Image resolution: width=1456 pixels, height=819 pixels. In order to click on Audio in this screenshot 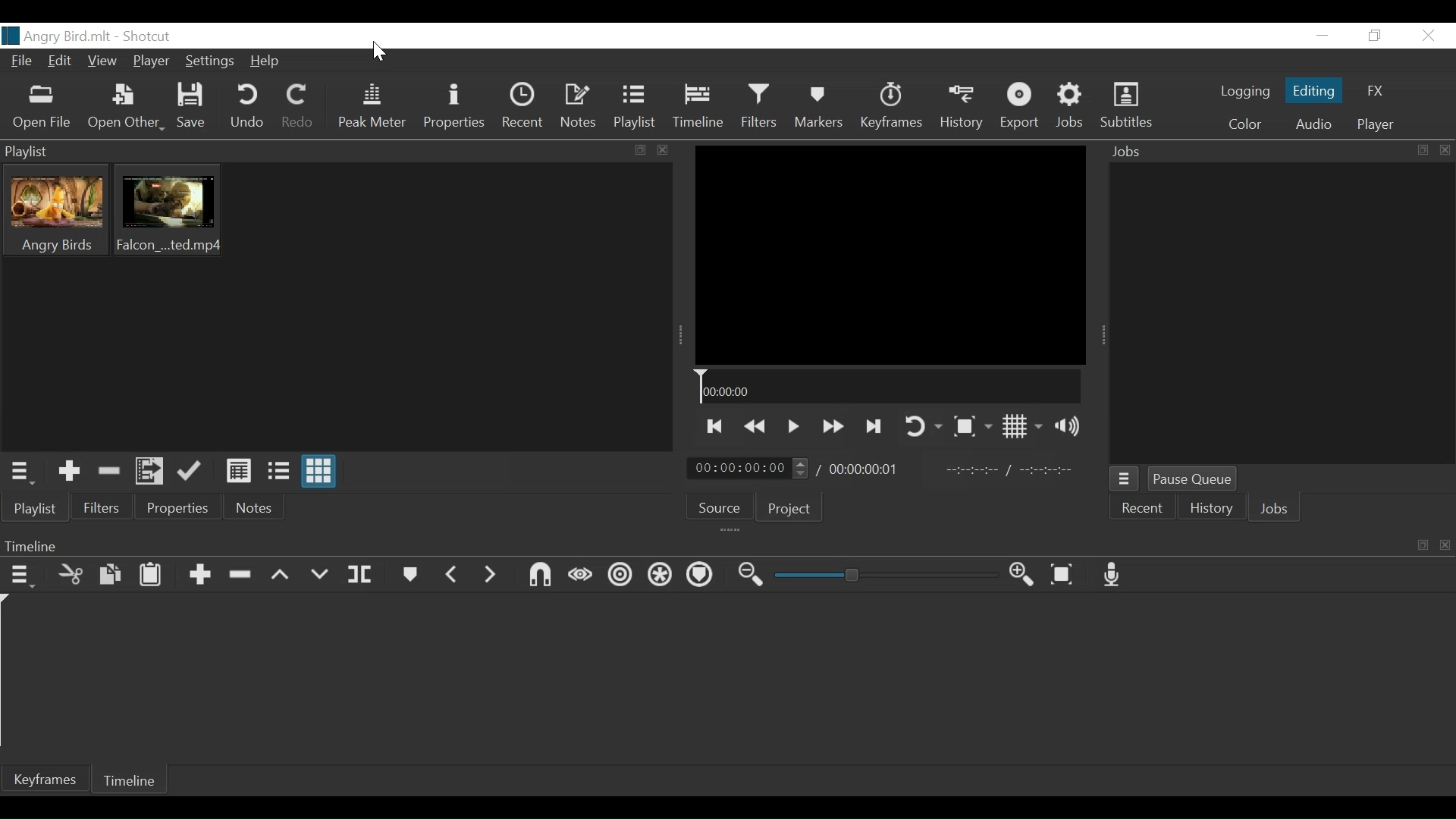, I will do `click(1312, 124)`.